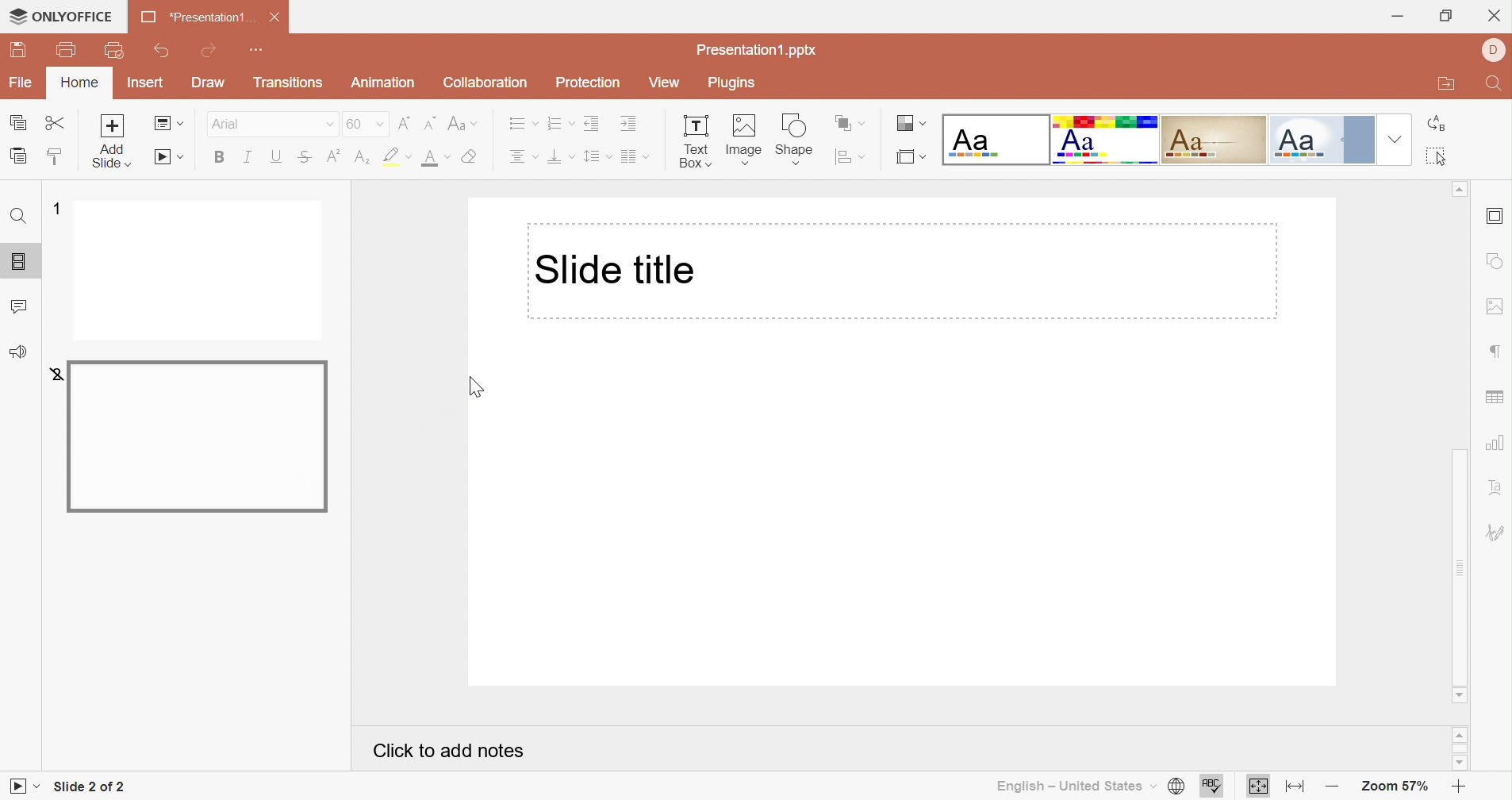 The width and height of the screenshot is (1512, 800). Describe the element at coordinates (168, 158) in the screenshot. I see `Start Slideshow` at that location.